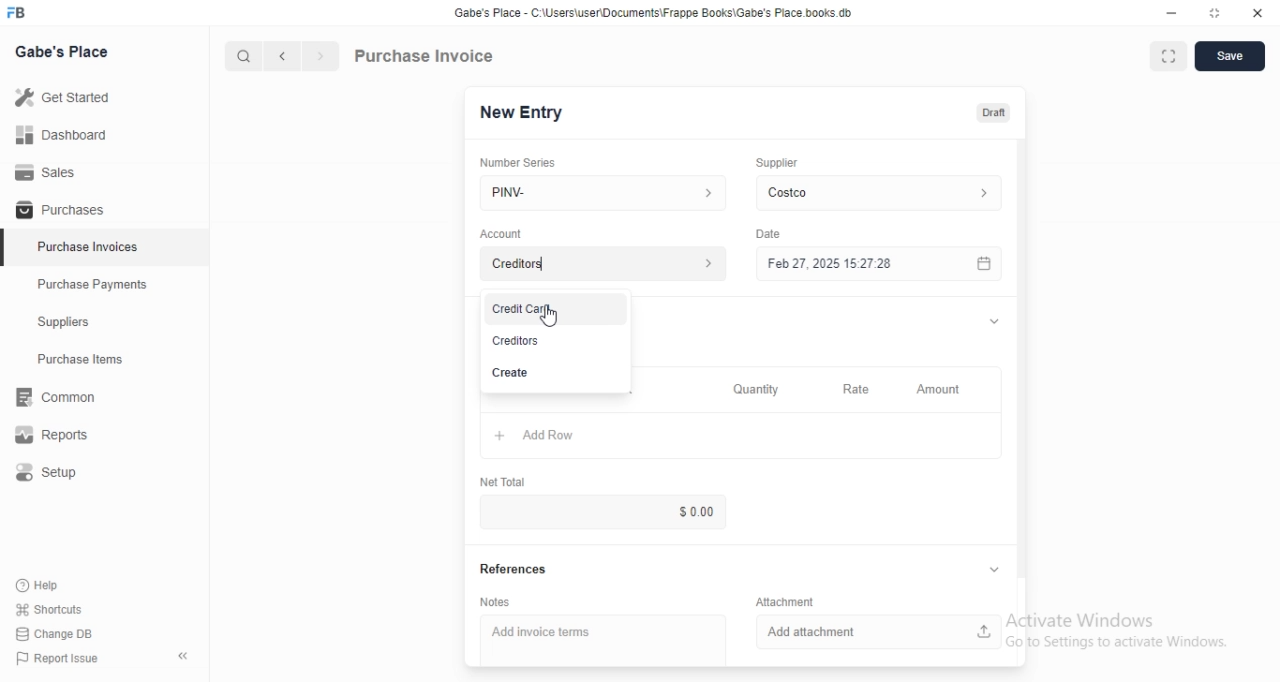  What do you see at coordinates (495, 602) in the screenshot?
I see `Notes` at bounding box center [495, 602].